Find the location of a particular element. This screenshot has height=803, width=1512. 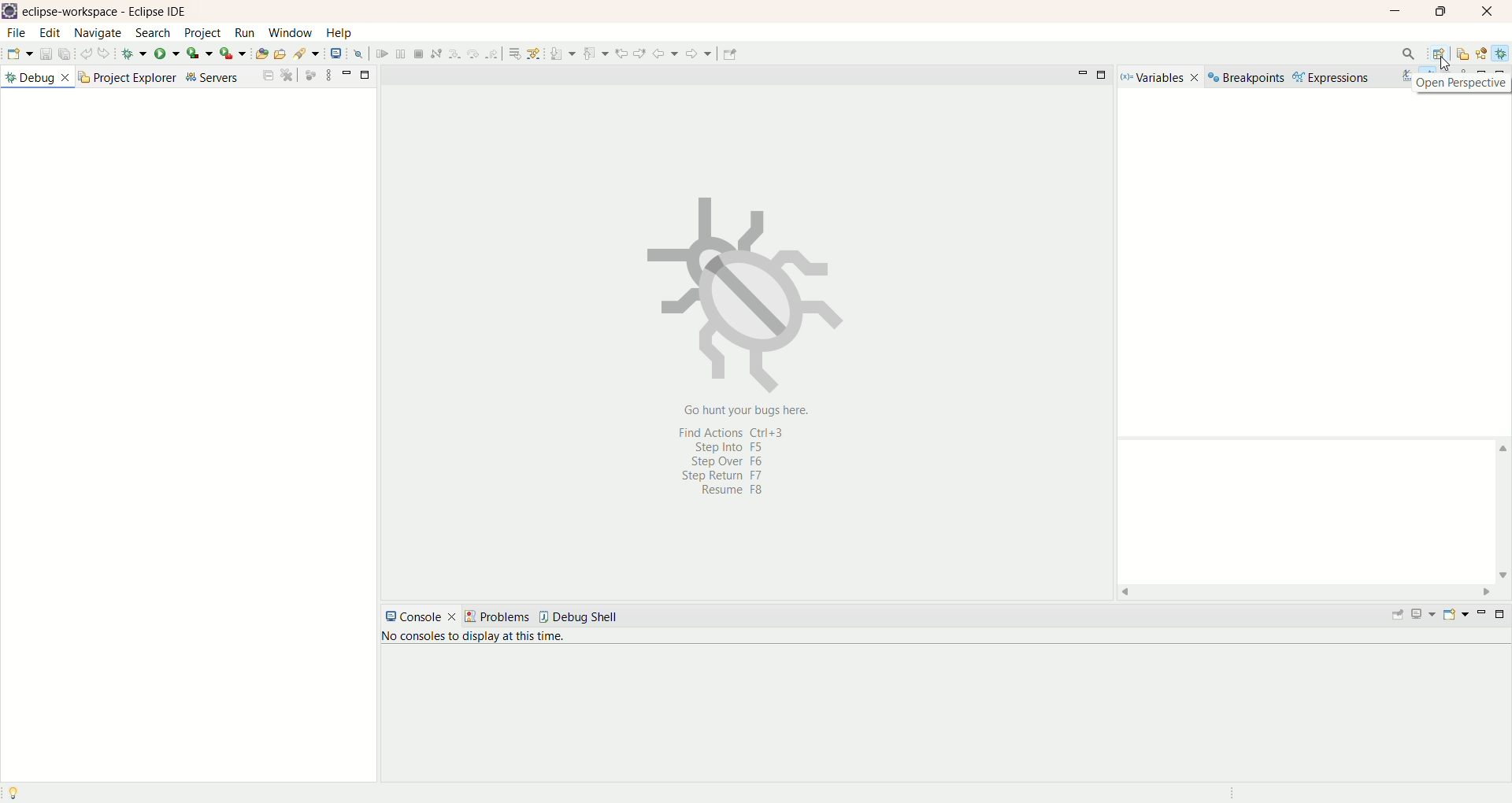

eclipse-workspace-Eclipse IDE is located at coordinates (107, 13).